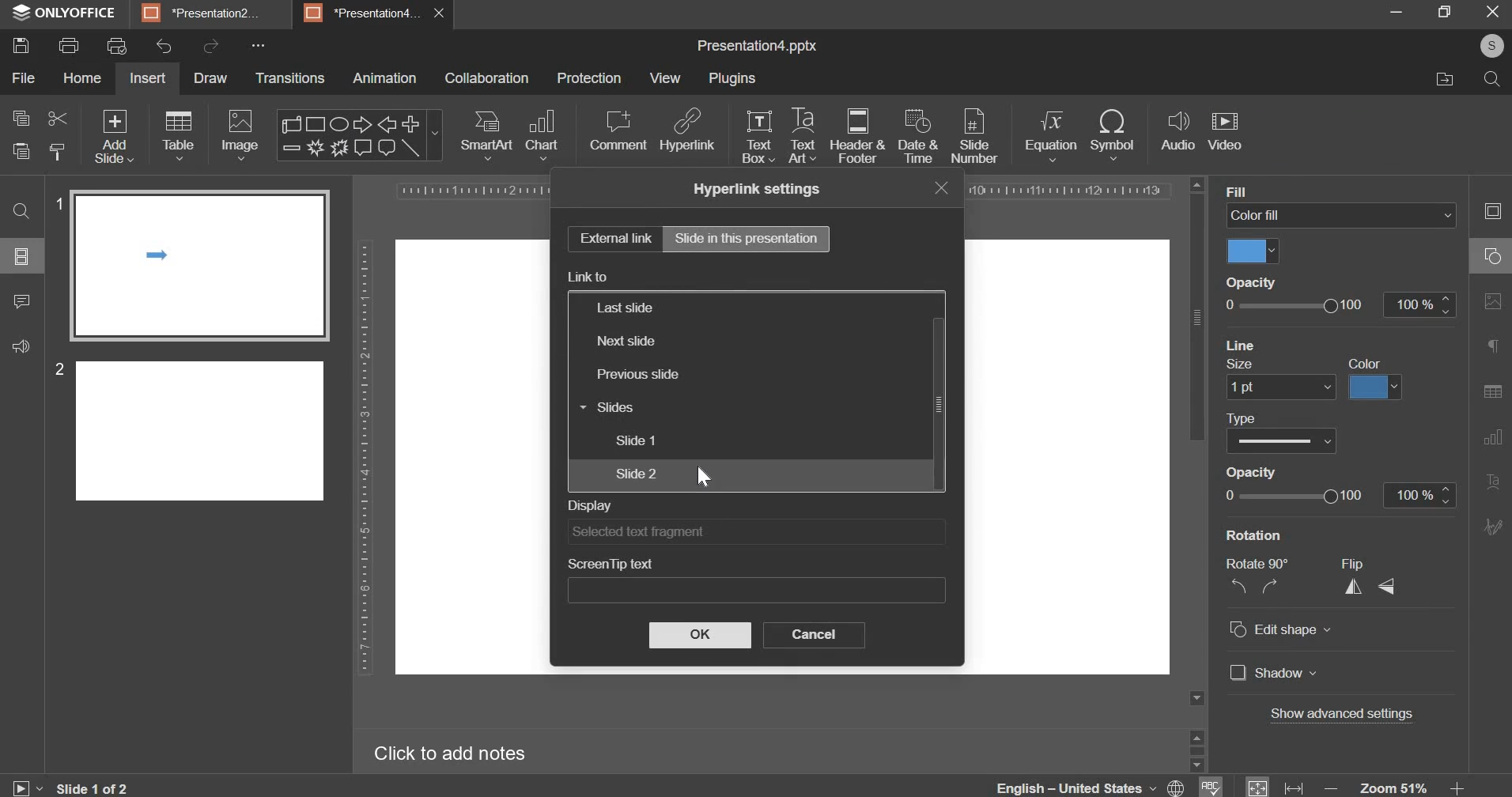 This screenshot has height=797, width=1512. I want to click on view, so click(663, 78).